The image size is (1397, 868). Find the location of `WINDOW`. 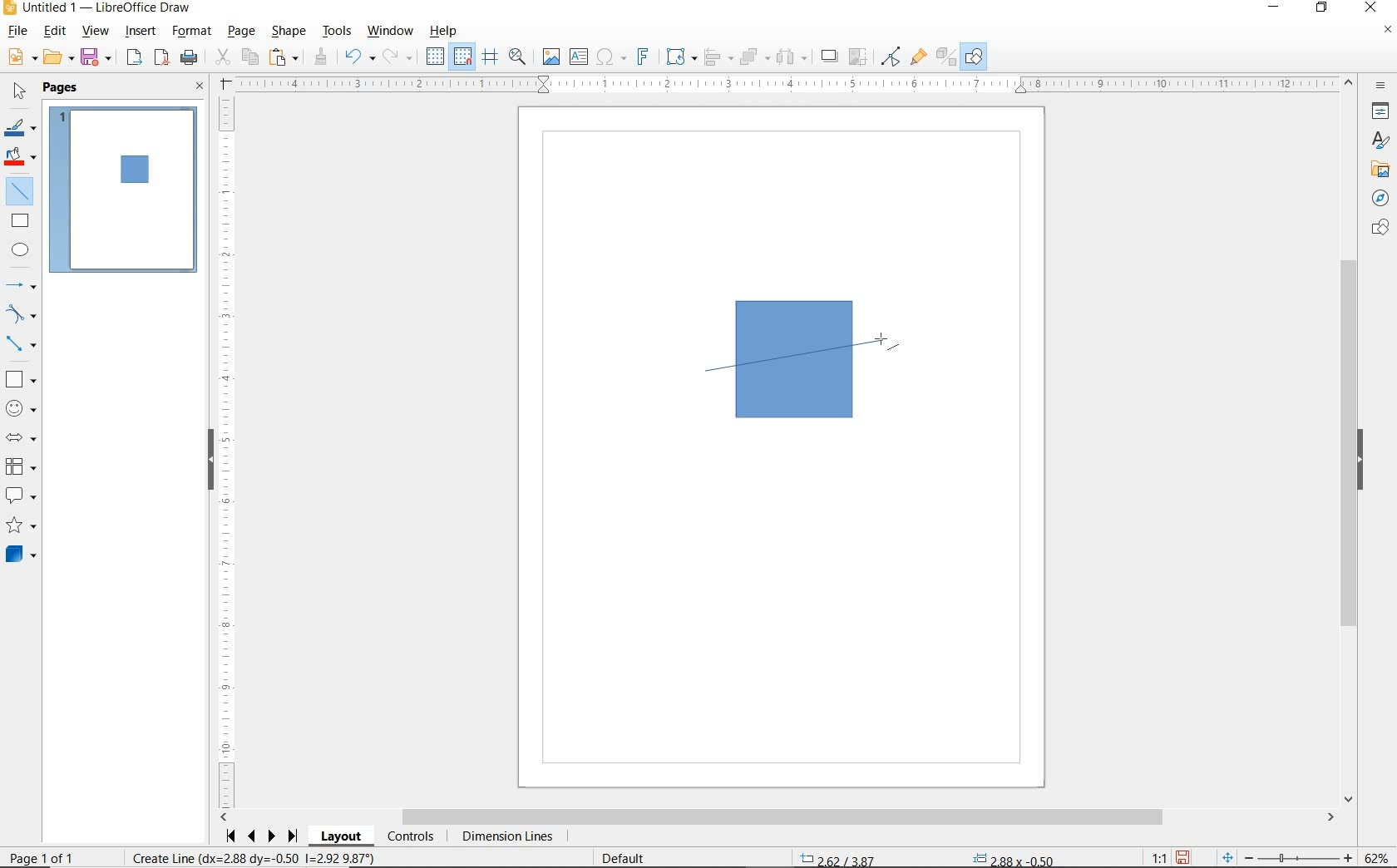

WINDOW is located at coordinates (391, 32).